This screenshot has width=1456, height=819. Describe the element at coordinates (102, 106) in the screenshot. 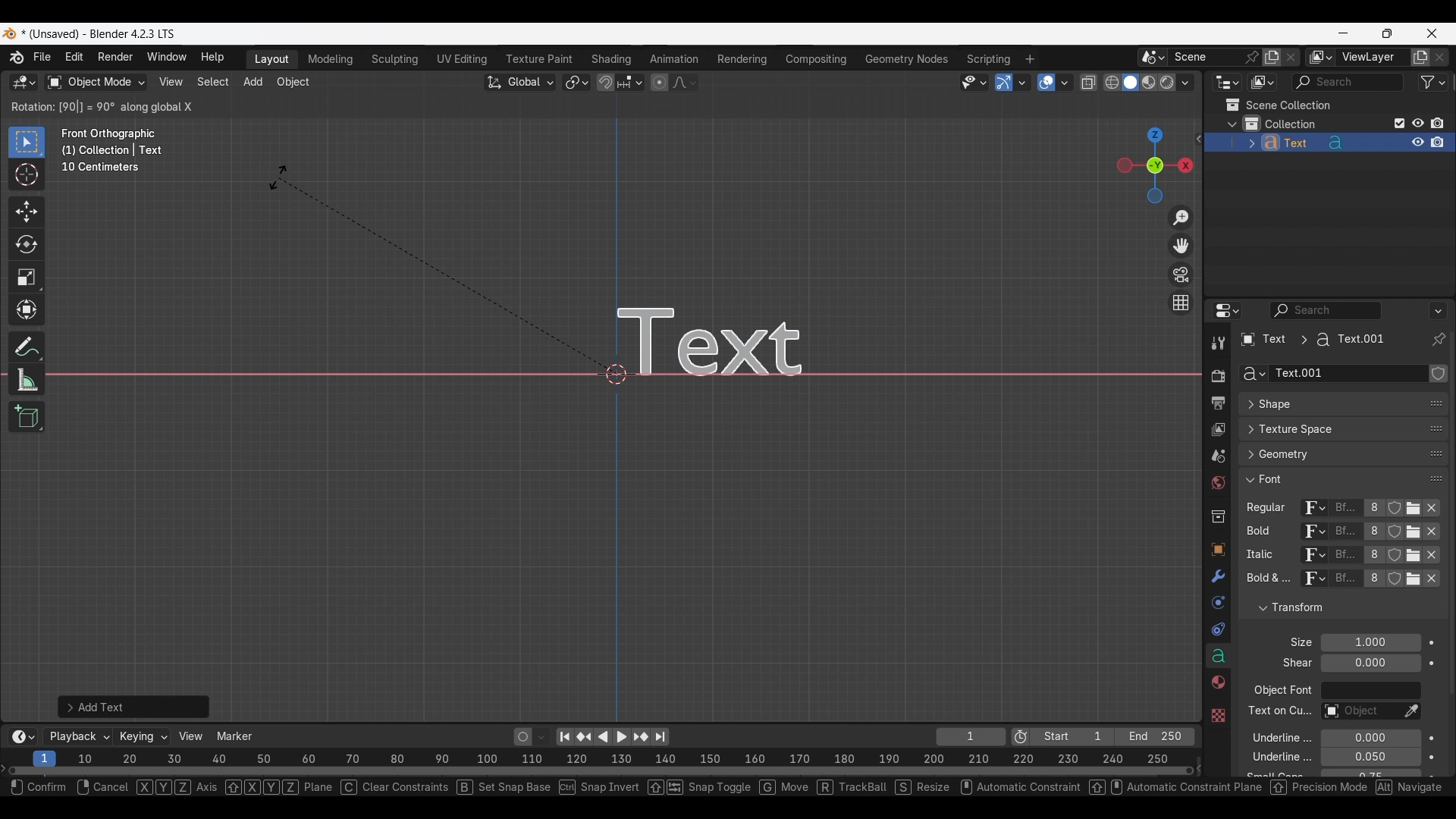

I see `Details of current rotation changed` at that location.